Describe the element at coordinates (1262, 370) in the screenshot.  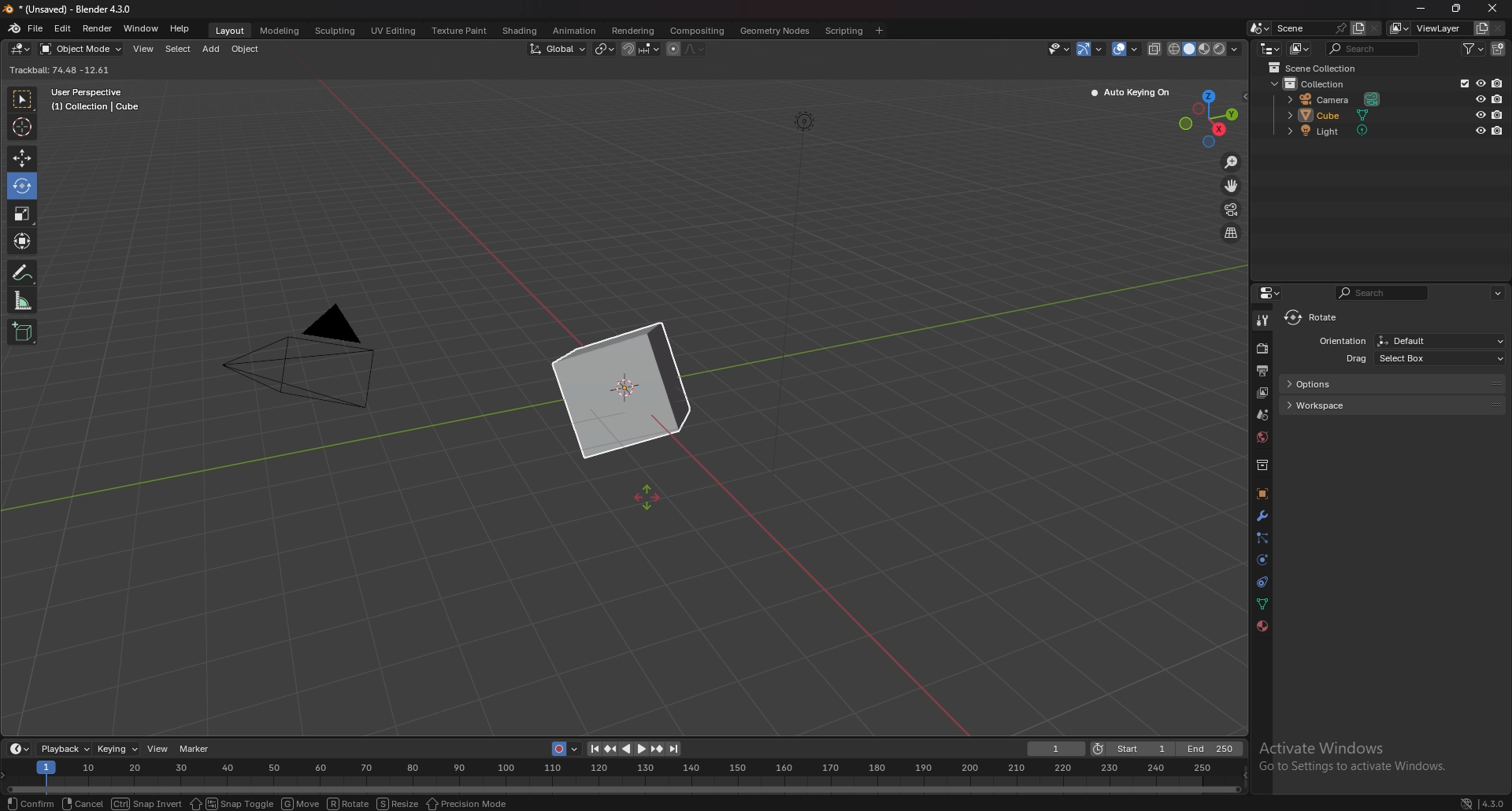
I see `output` at that location.